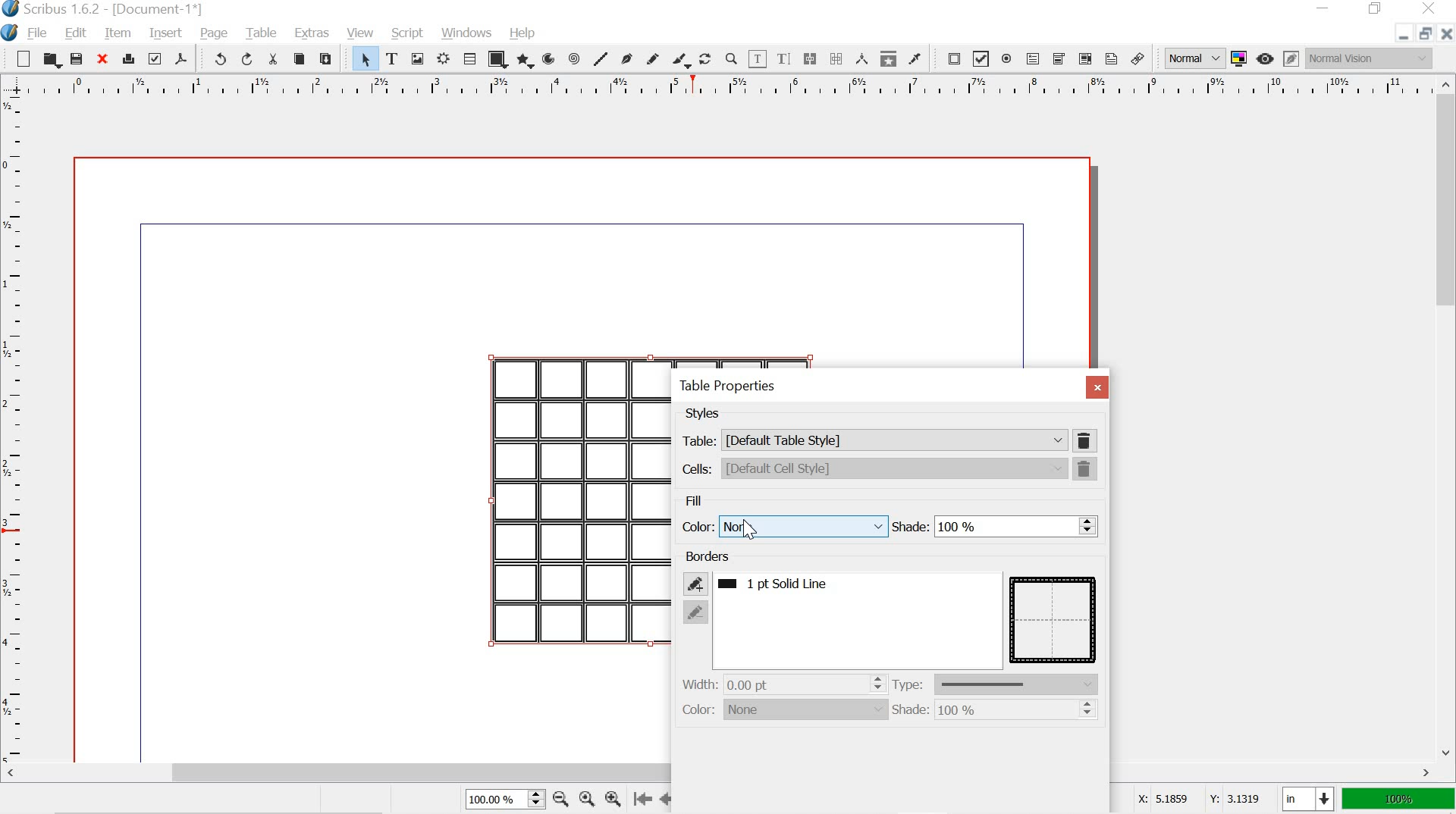 The image size is (1456, 814). I want to click on pdf check box, so click(982, 58).